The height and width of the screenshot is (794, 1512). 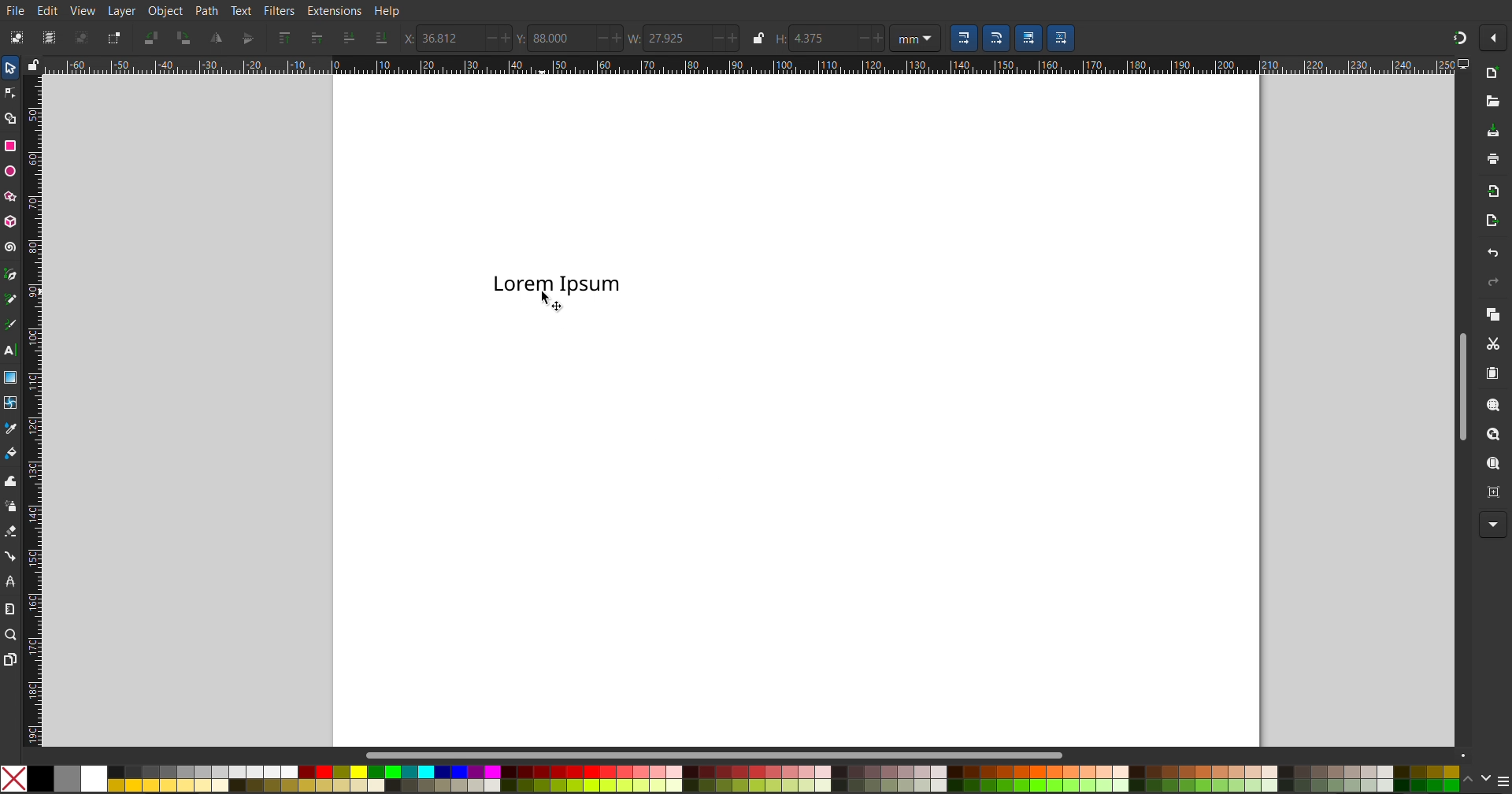 I want to click on Zoom Tool, so click(x=13, y=636).